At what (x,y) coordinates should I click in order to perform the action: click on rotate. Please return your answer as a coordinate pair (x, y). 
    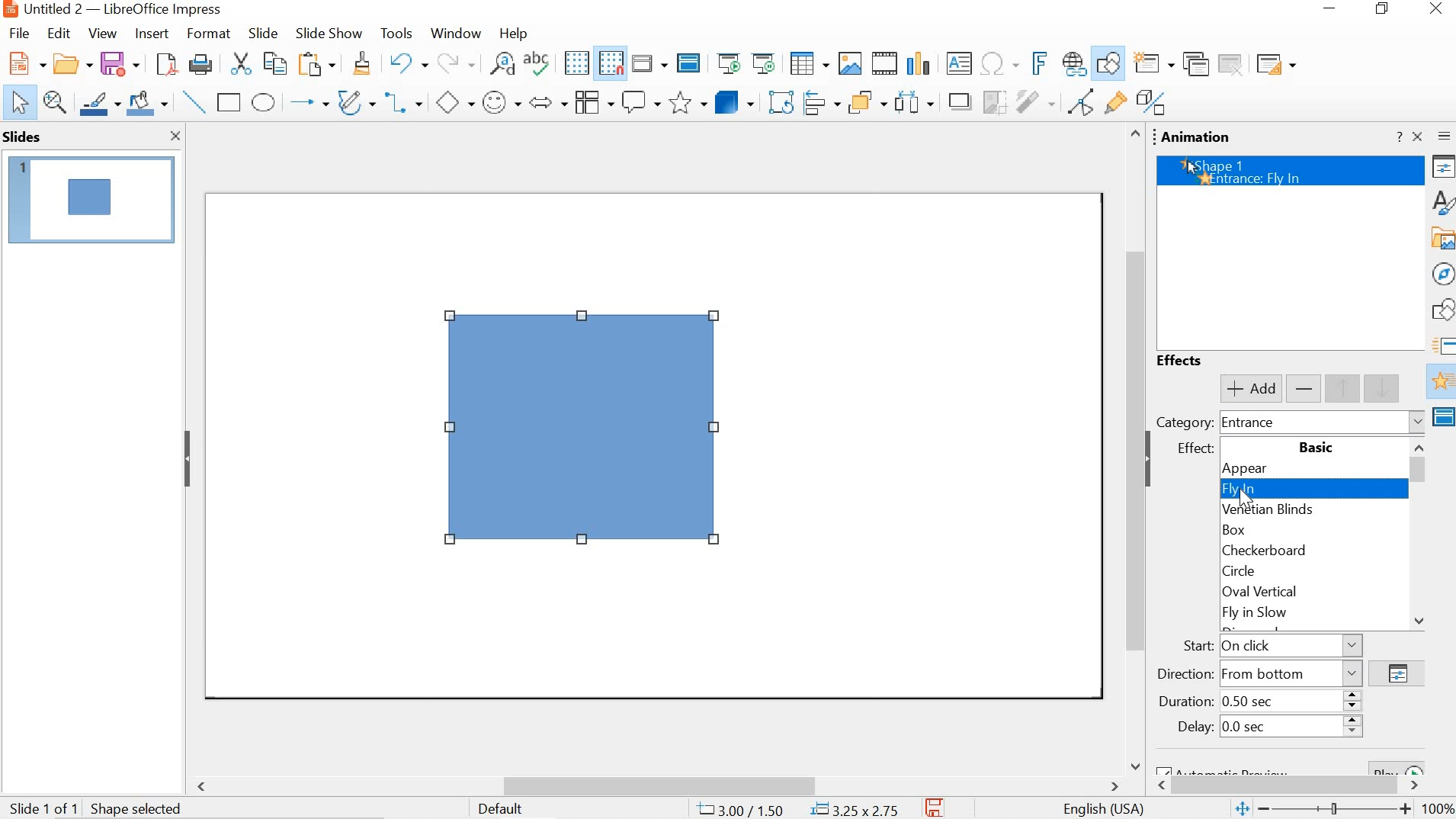
    Looking at the image, I should click on (780, 99).